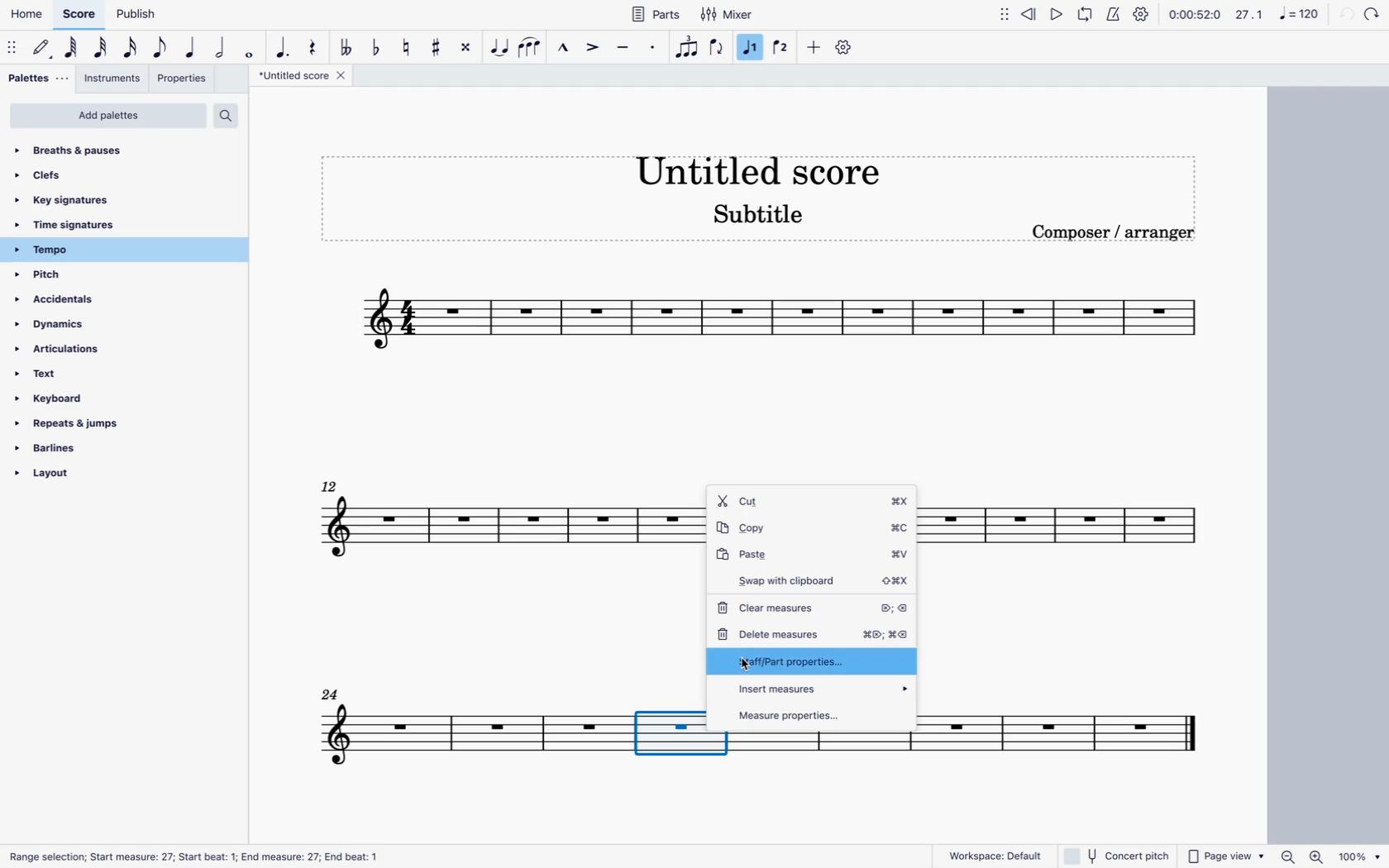 The height and width of the screenshot is (868, 1389). Describe the element at coordinates (330, 694) in the screenshot. I see `24` at that location.